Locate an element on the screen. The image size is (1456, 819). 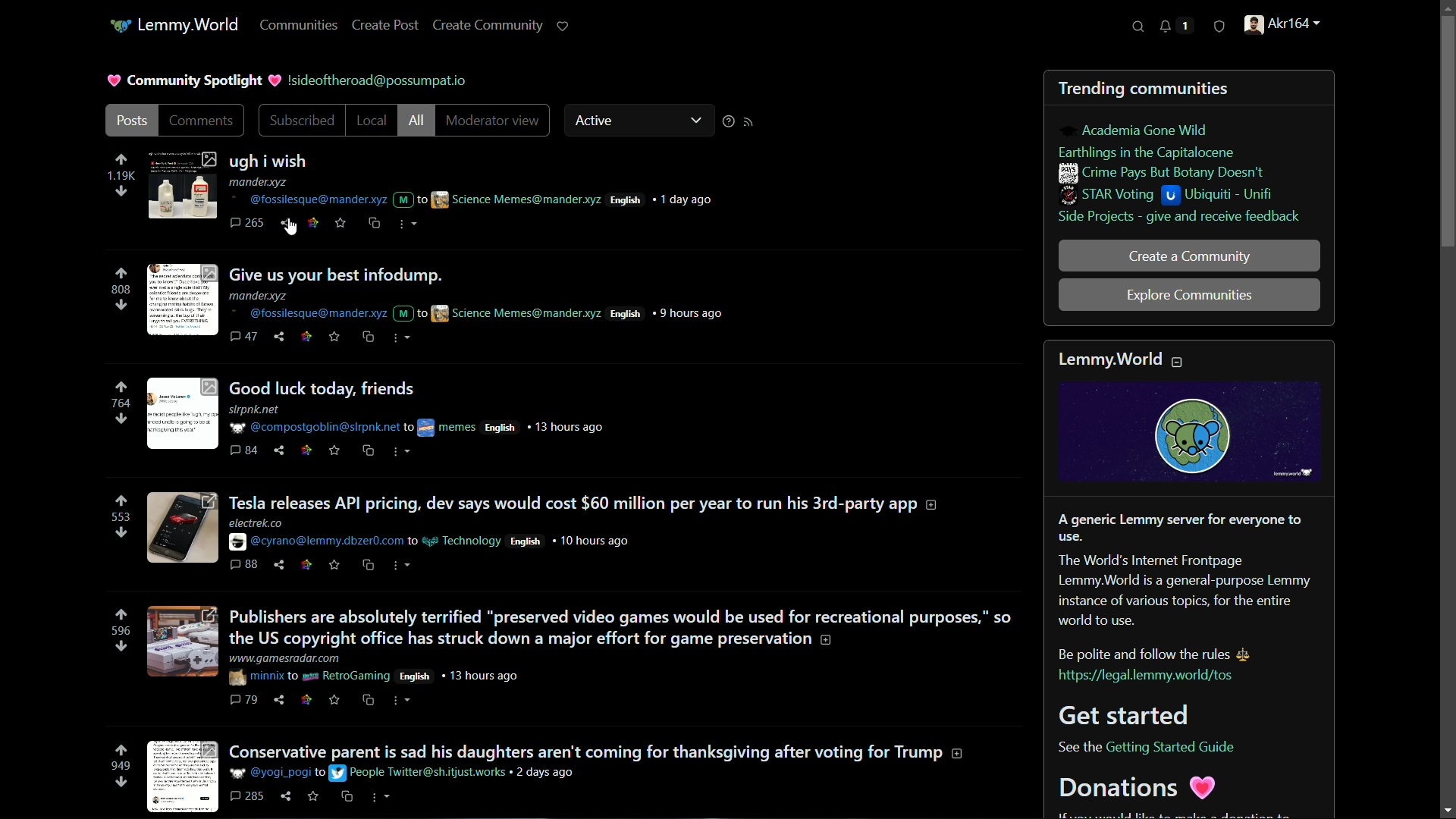
cross psot is located at coordinates (375, 224).